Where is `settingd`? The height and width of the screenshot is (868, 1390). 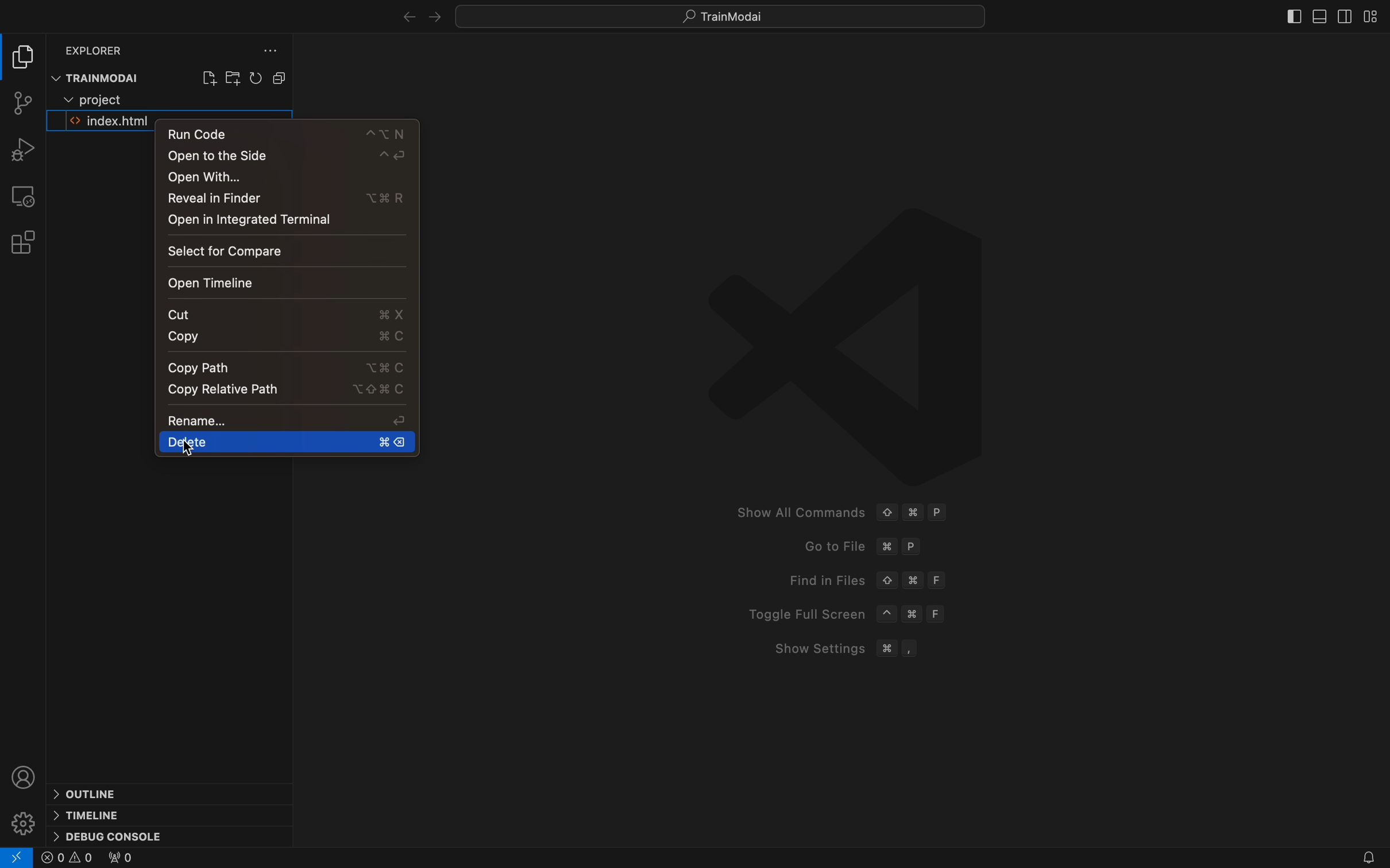 settingd is located at coordinates (24, 823).